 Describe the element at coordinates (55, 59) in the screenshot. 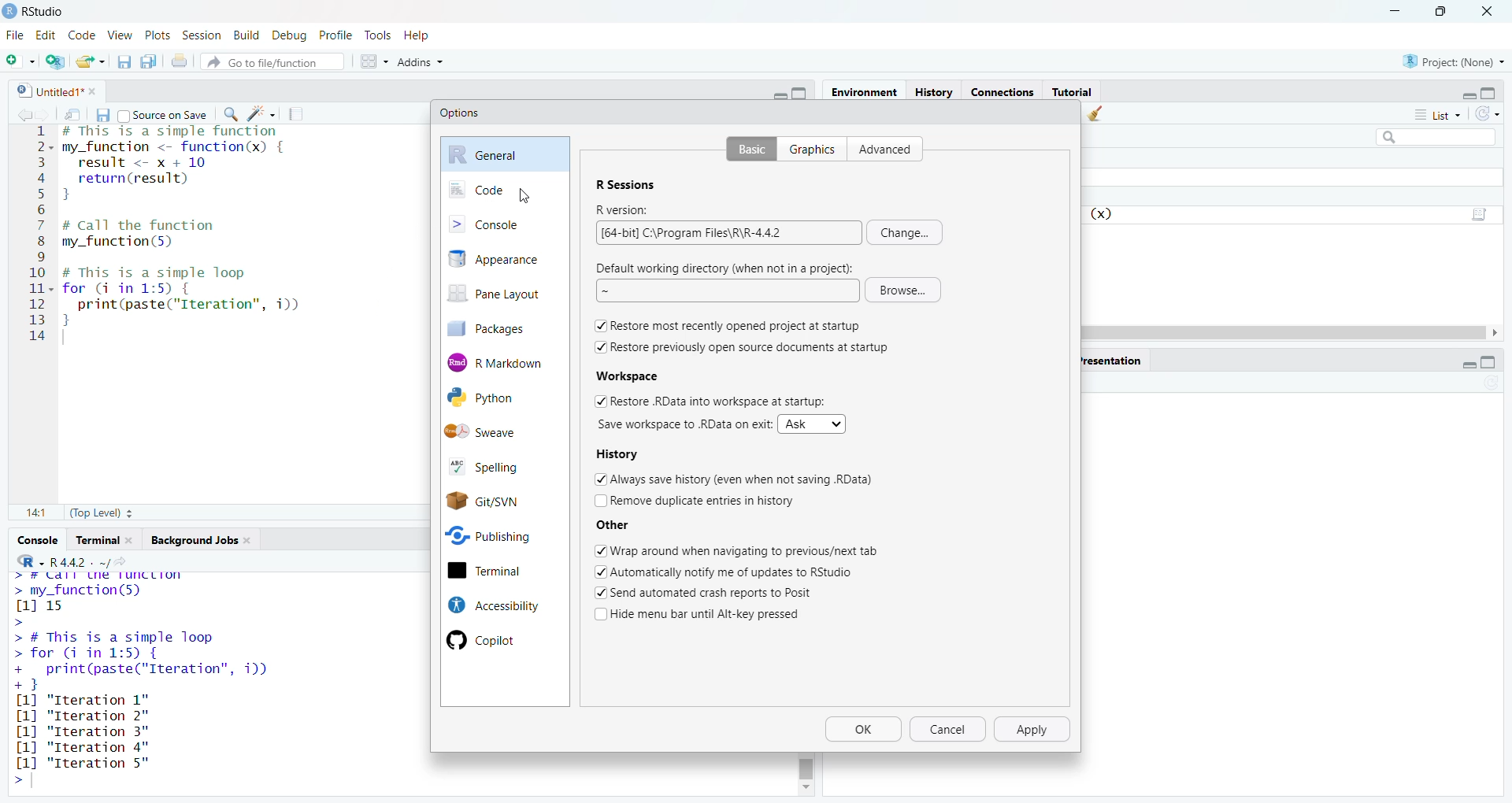

I see `create a project` at that location.